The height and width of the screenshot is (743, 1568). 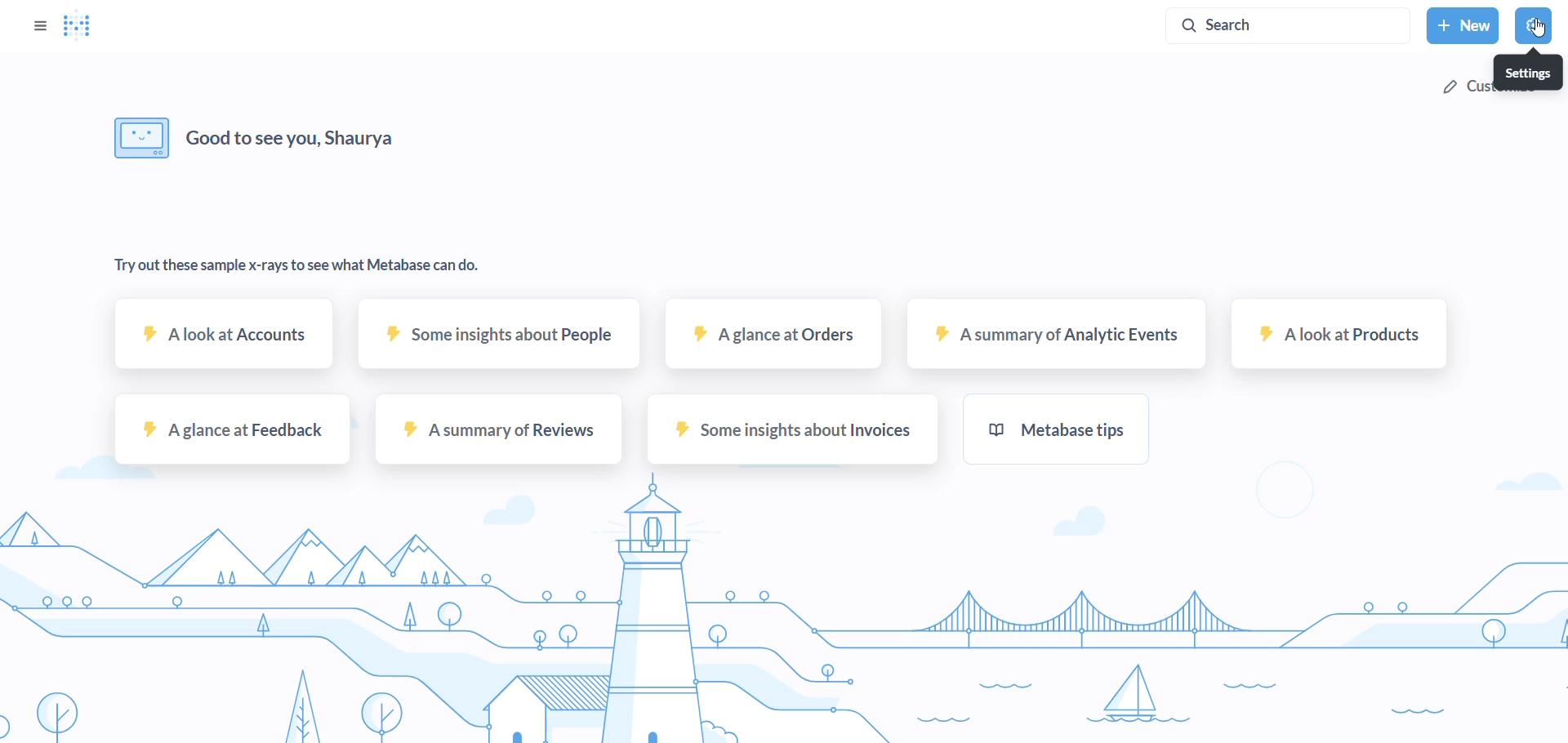 I want to click on setings, so click(x=1530, y=72).